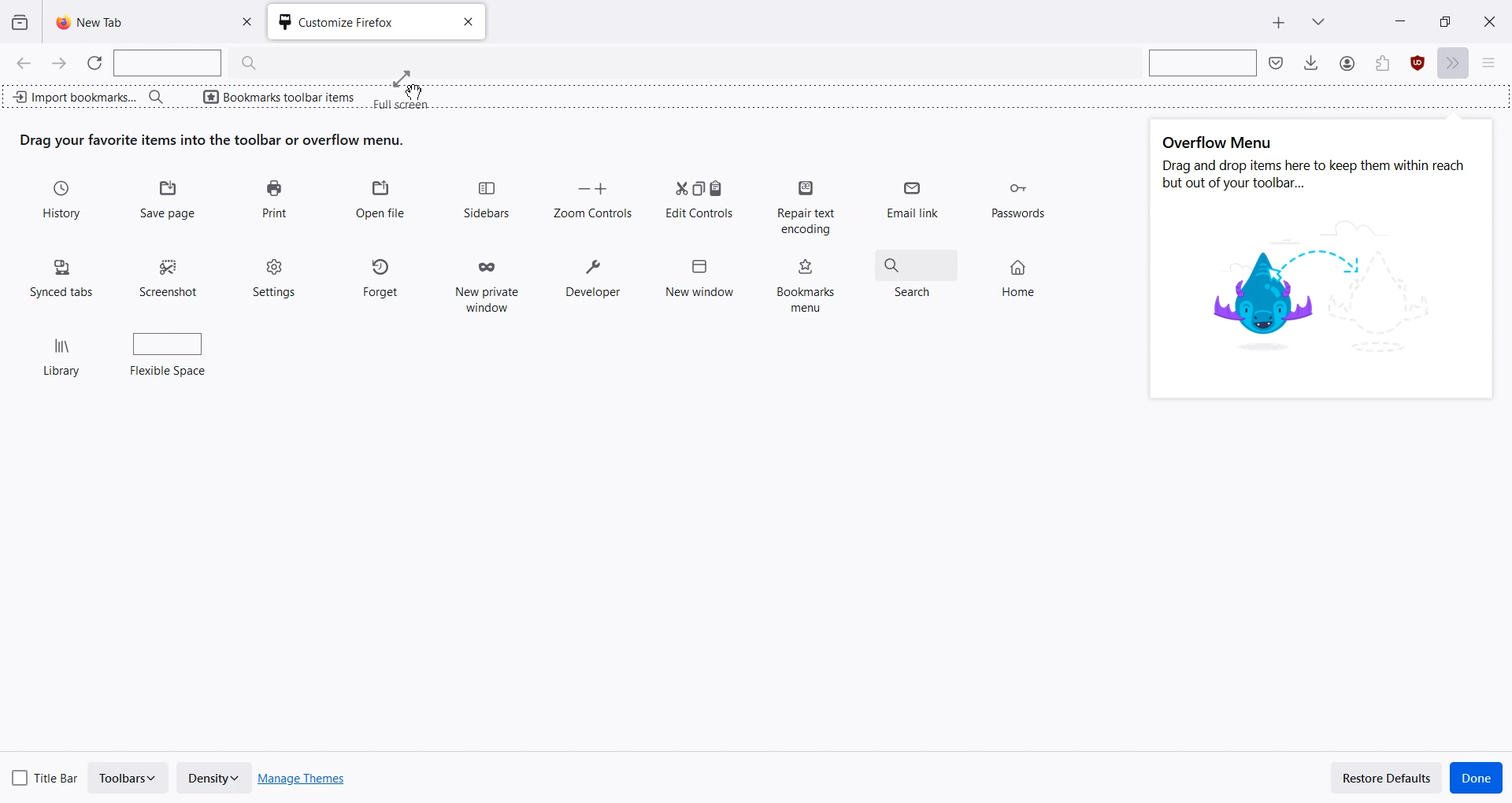 This screenshot has height=803, width=1512. Describe the element at coordinates (466, 22) in the screenshot. I see `Close tab` at that location.